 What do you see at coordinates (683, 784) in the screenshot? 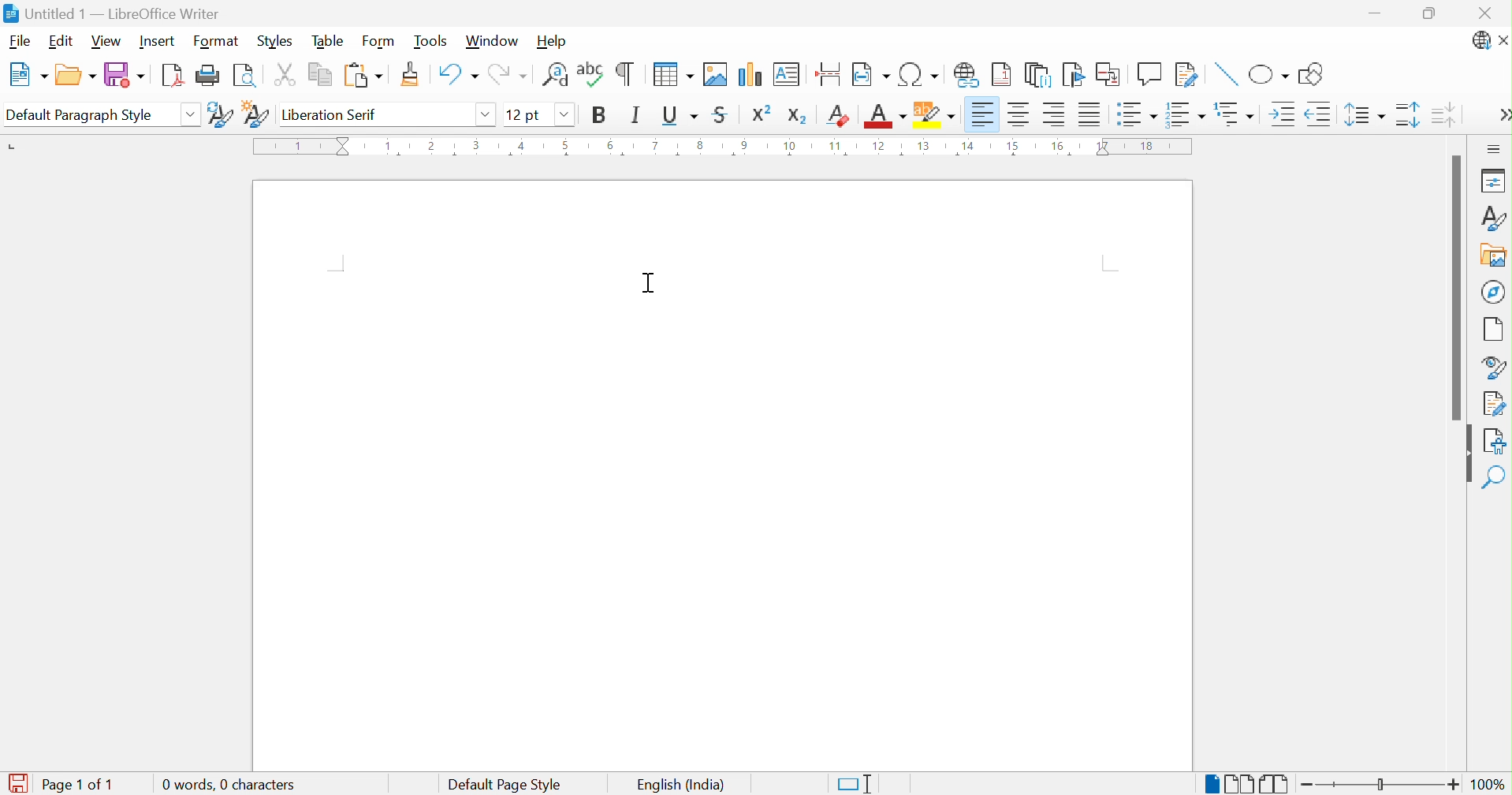
I see `English (India)` at bounding box center [683, 784].